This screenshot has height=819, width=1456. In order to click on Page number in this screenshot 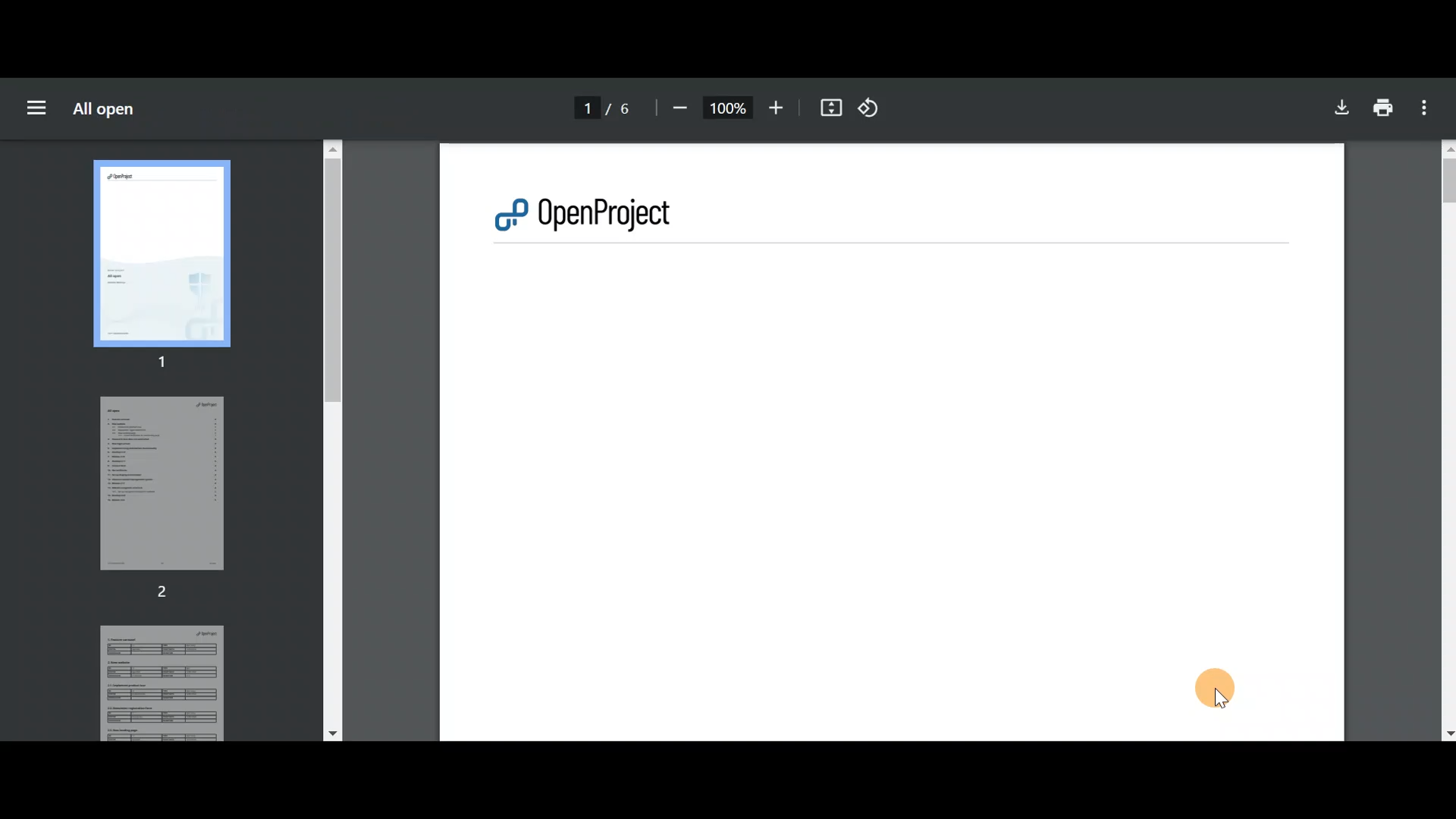, I will do `click(597, 104)`.